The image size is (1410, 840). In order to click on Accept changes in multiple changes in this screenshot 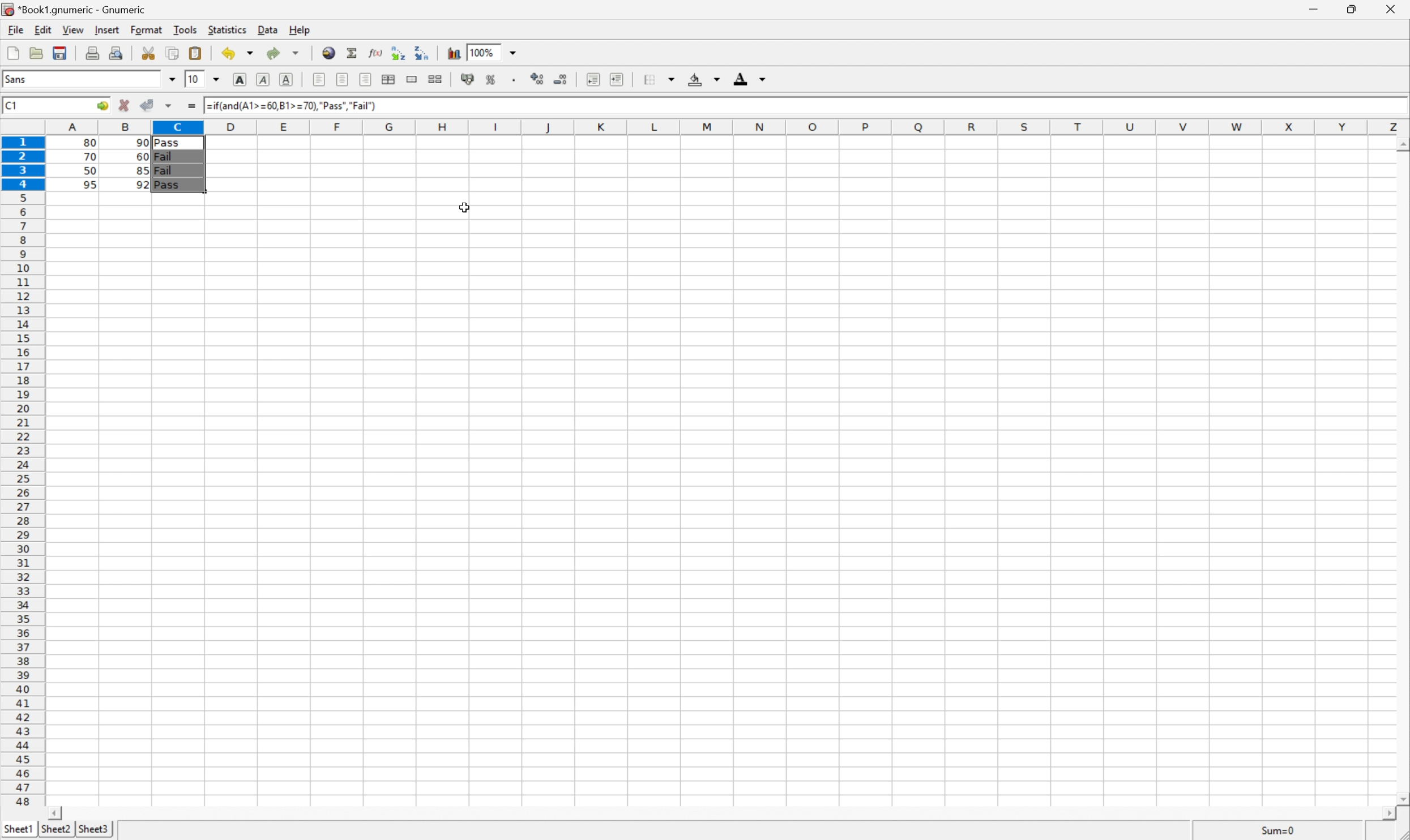, I will do `click(170, 106)`.